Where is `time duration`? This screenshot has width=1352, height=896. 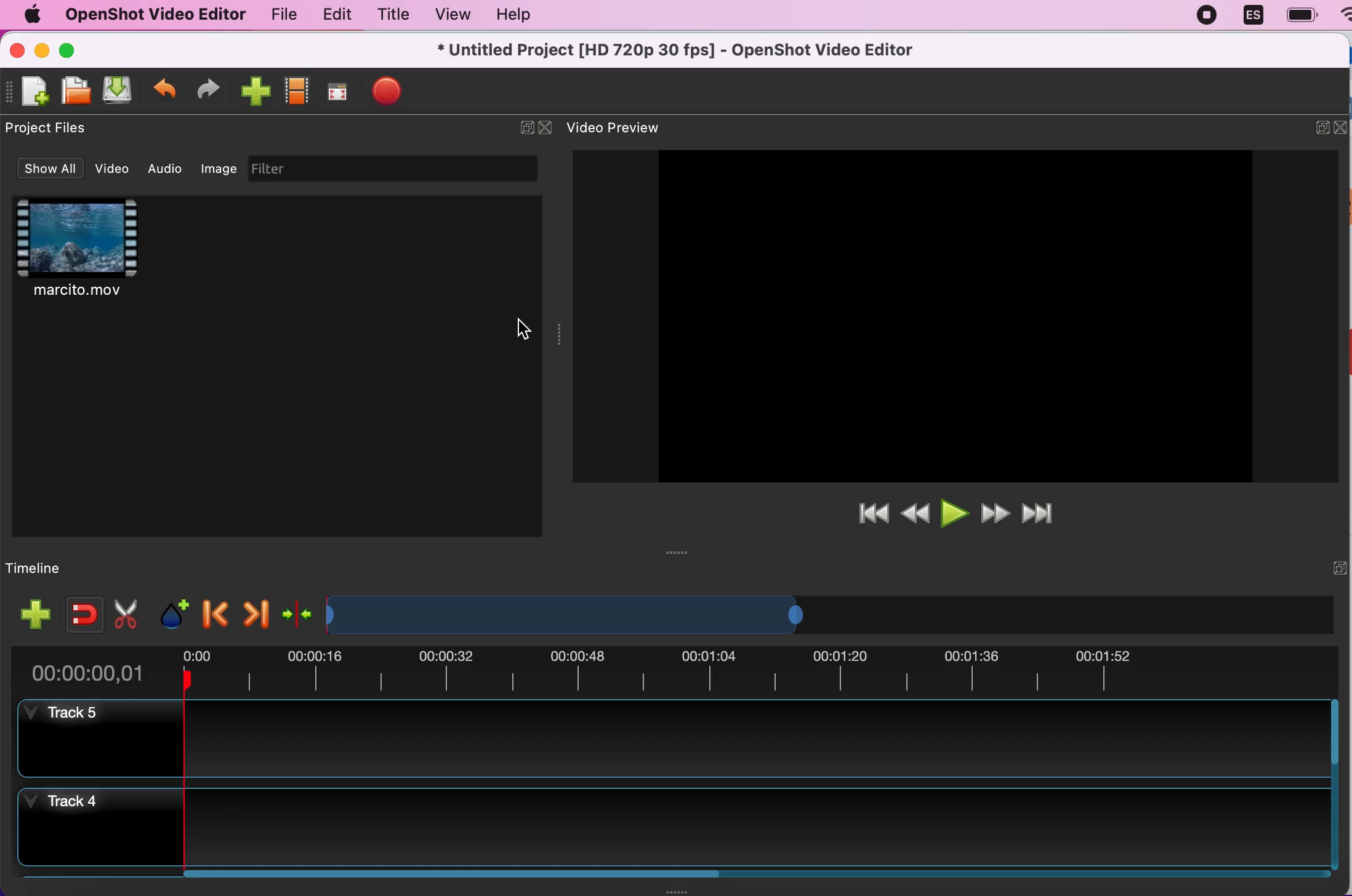
time duration is located at coordinates (670, 673).